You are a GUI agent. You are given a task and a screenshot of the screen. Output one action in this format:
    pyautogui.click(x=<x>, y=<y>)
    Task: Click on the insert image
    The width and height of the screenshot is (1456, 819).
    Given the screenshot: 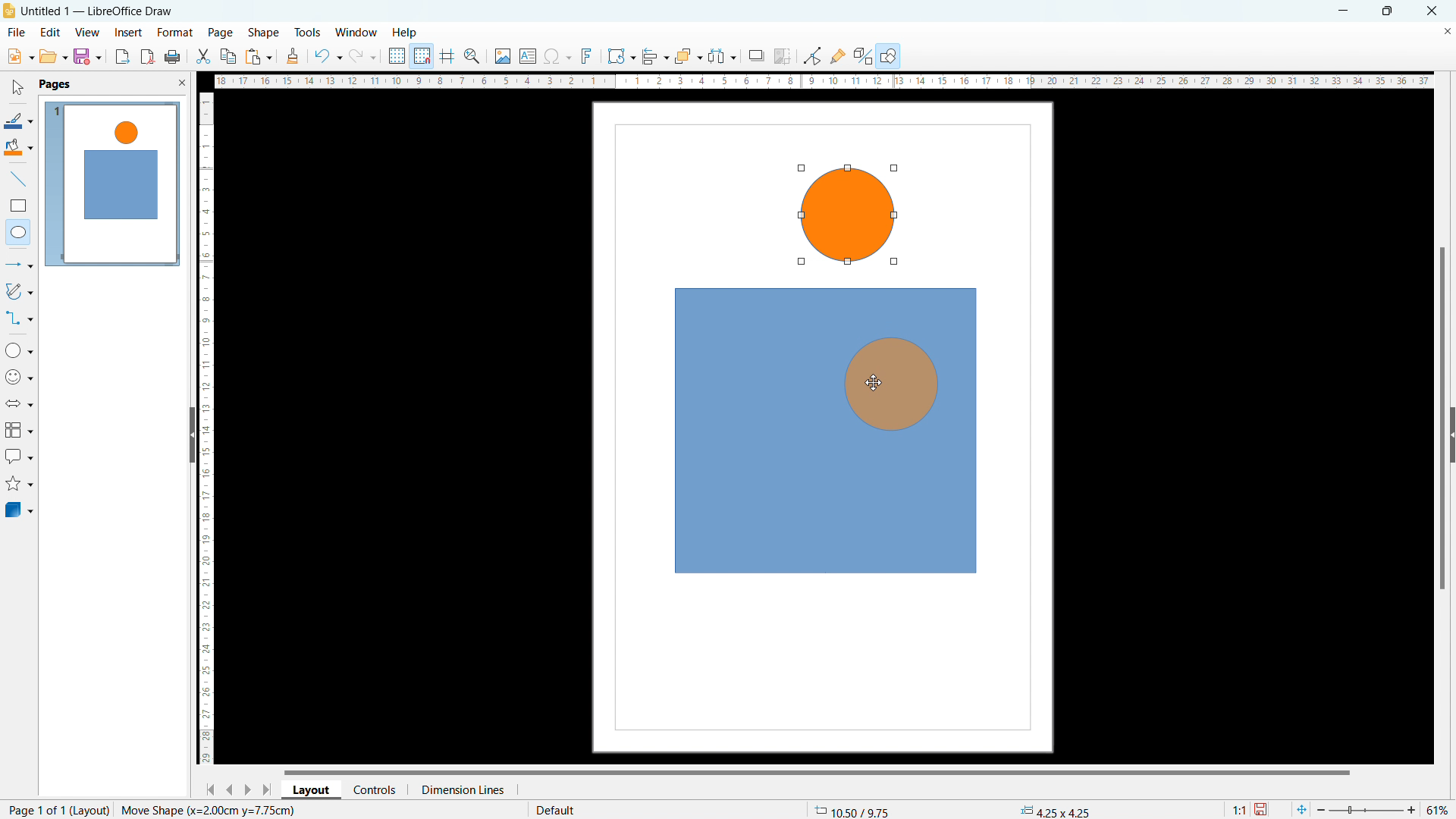 What is the action you would take?
    pyautogui.click(x=502, y=56)
    